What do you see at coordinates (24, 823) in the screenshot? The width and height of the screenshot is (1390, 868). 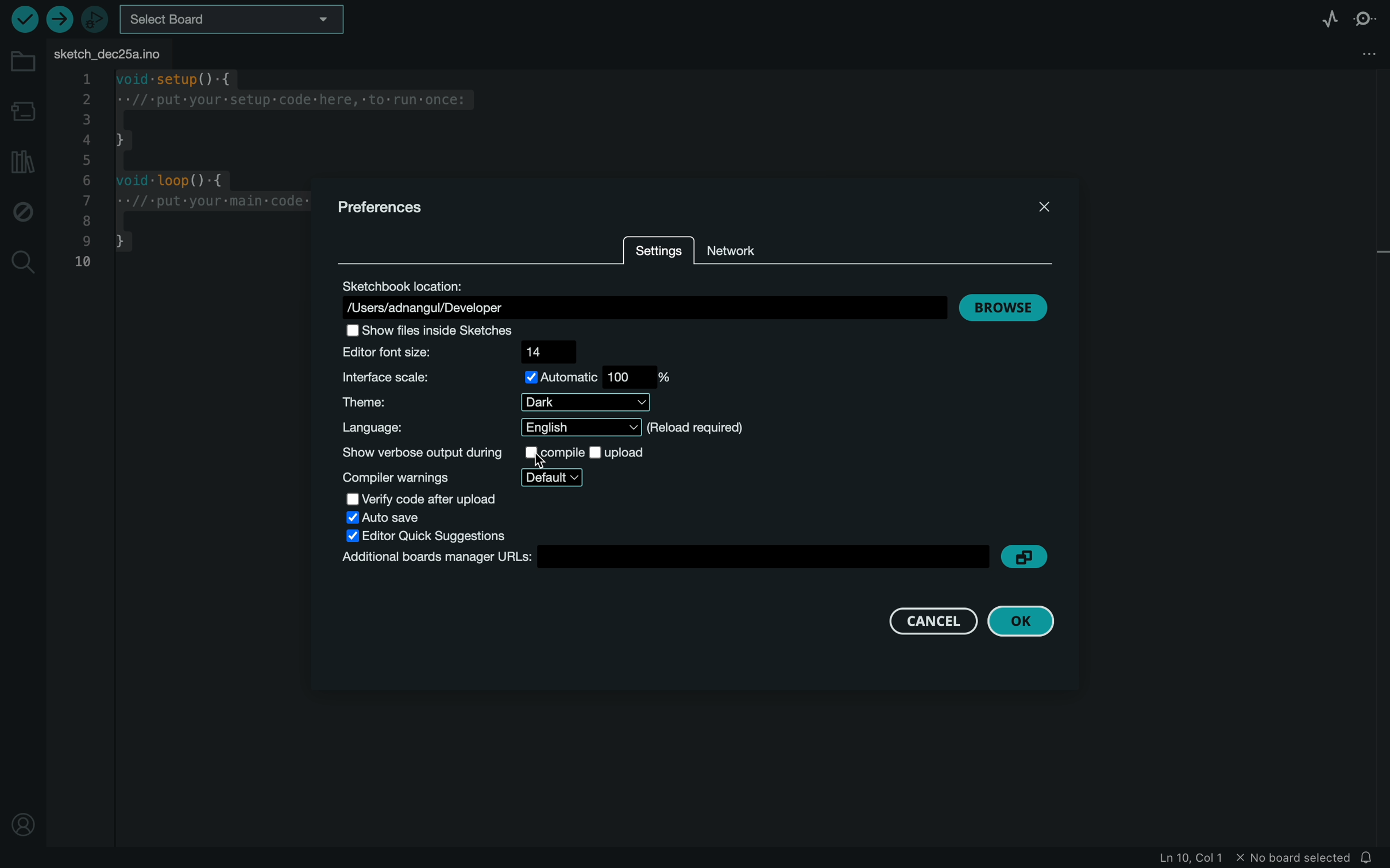 I see `profile` at bounding box center [24, 823].